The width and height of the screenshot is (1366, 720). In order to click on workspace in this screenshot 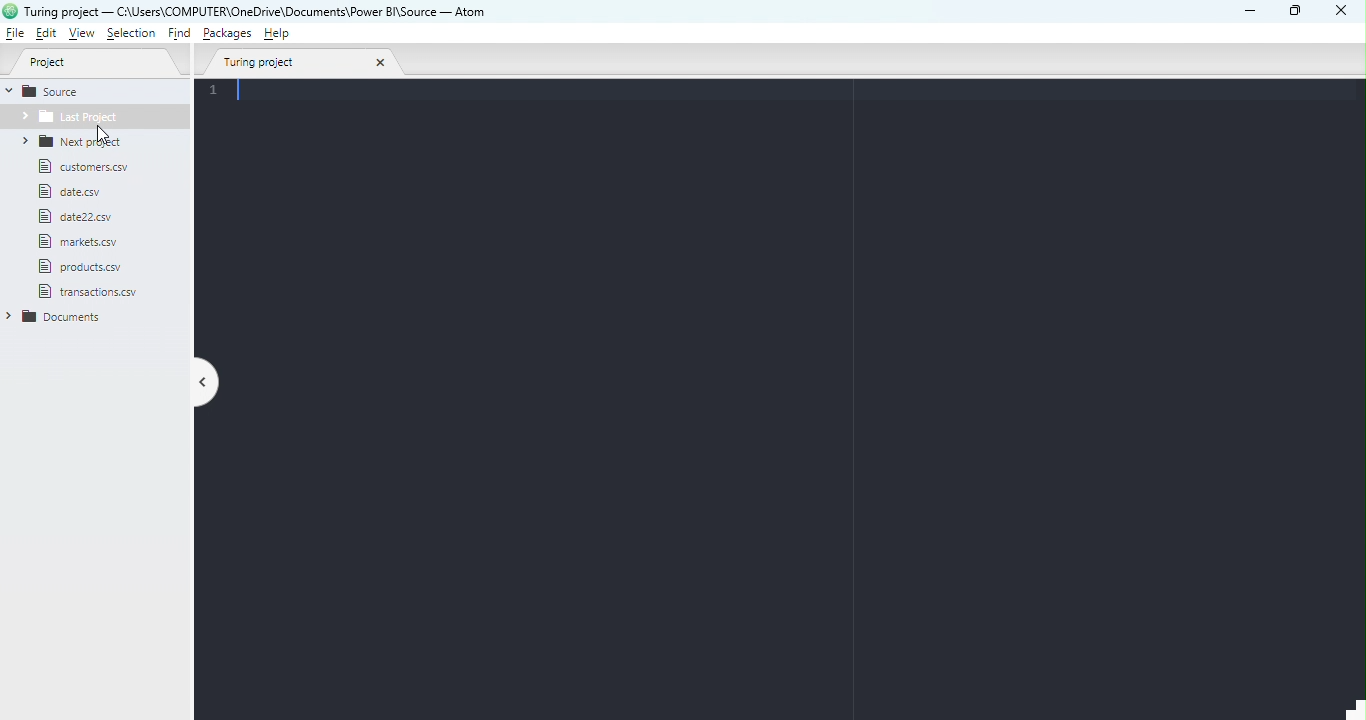, I will do `click(791, 409)`.